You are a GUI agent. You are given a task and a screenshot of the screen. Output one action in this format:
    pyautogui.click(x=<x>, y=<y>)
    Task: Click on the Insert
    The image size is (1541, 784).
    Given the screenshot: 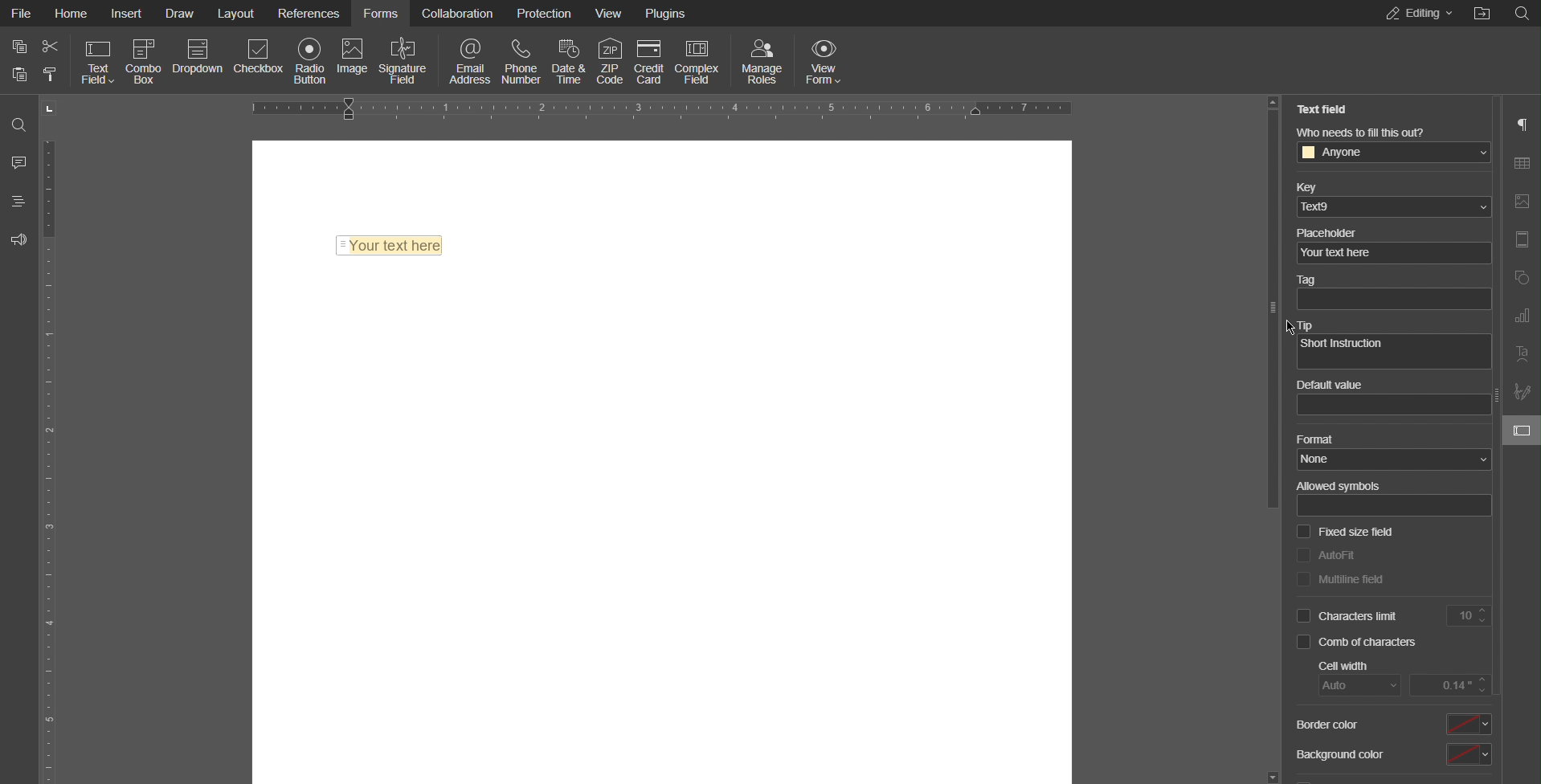 What is the action you would take?
    pyautogui.click(x=125, y=12)
    